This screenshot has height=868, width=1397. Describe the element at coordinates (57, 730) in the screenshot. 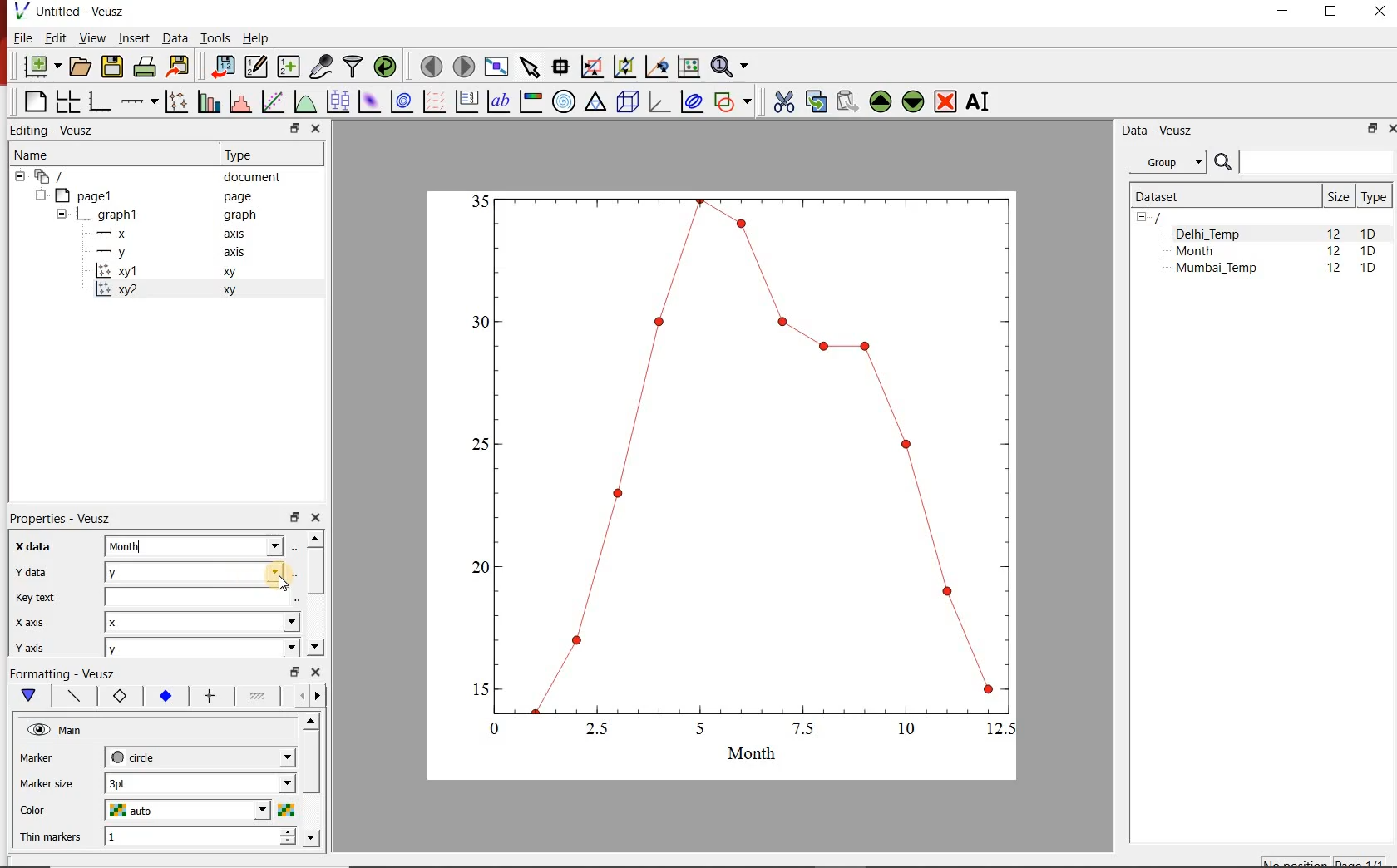

I see `Main` at that location.